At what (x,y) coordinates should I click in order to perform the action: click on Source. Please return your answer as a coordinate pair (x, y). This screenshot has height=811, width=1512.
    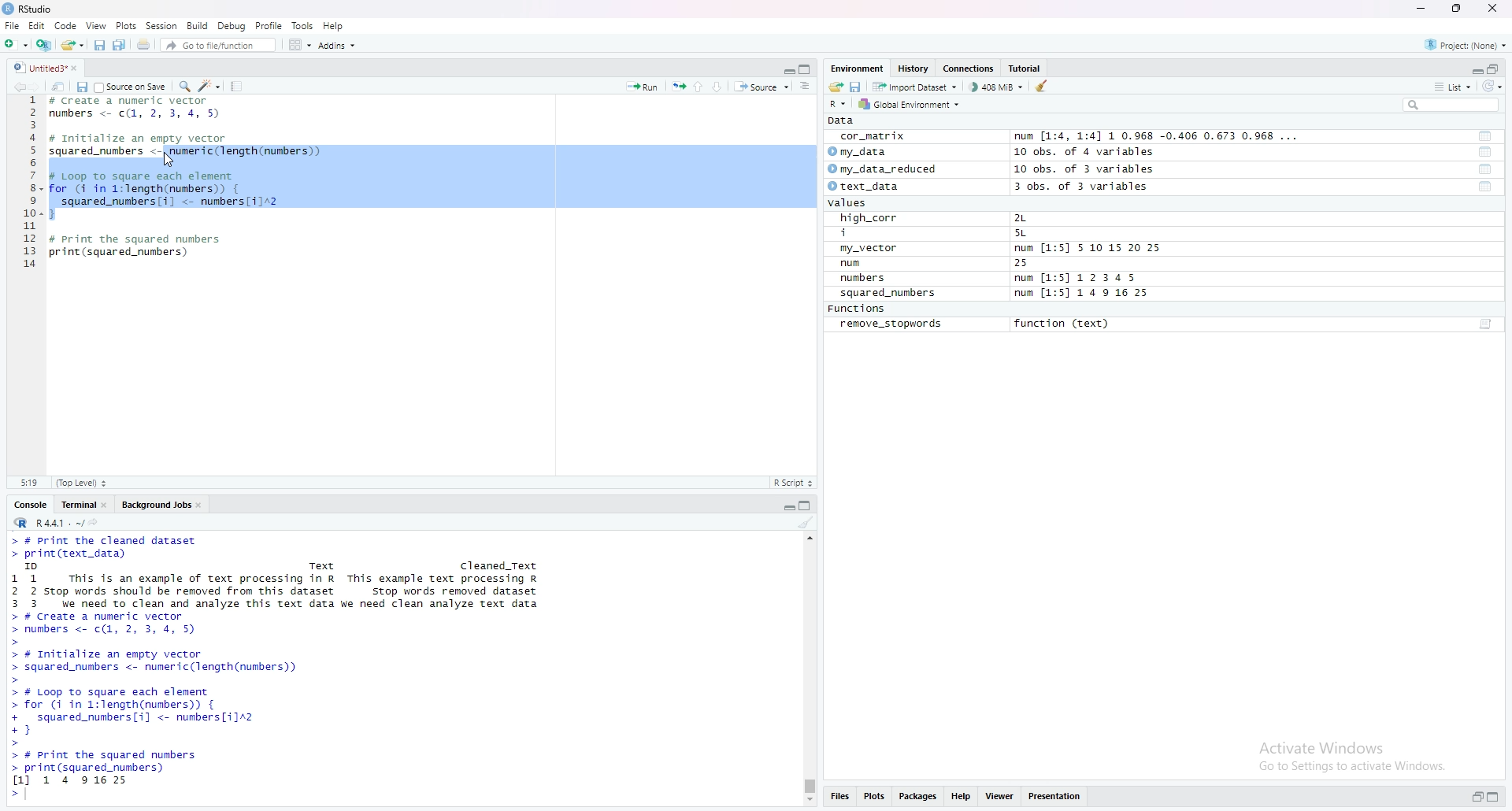
    Looking at the image, I should click on (762, 86).